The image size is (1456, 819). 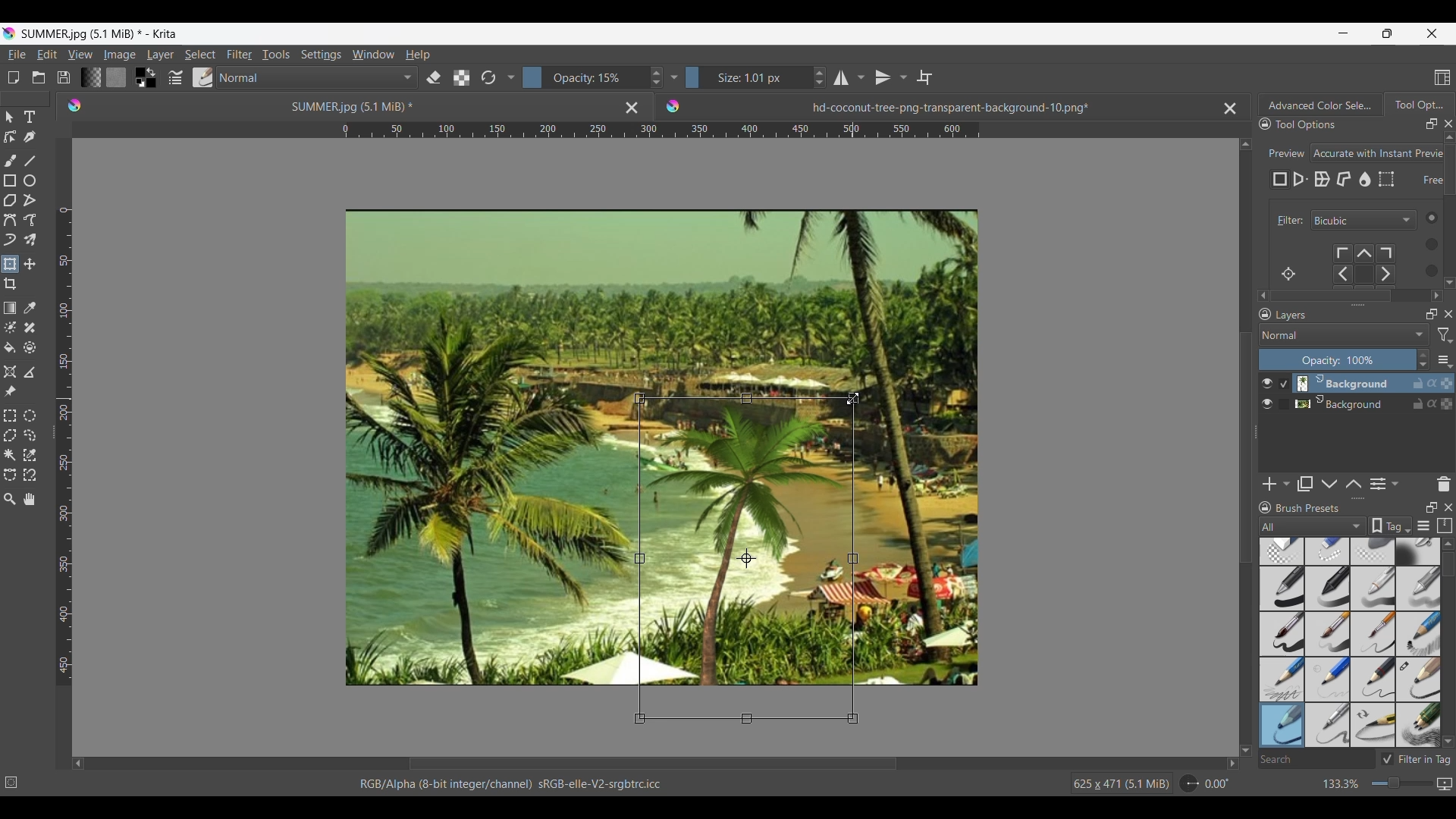 I want to click on Similar color selection tool, so click(x=30, y=454).